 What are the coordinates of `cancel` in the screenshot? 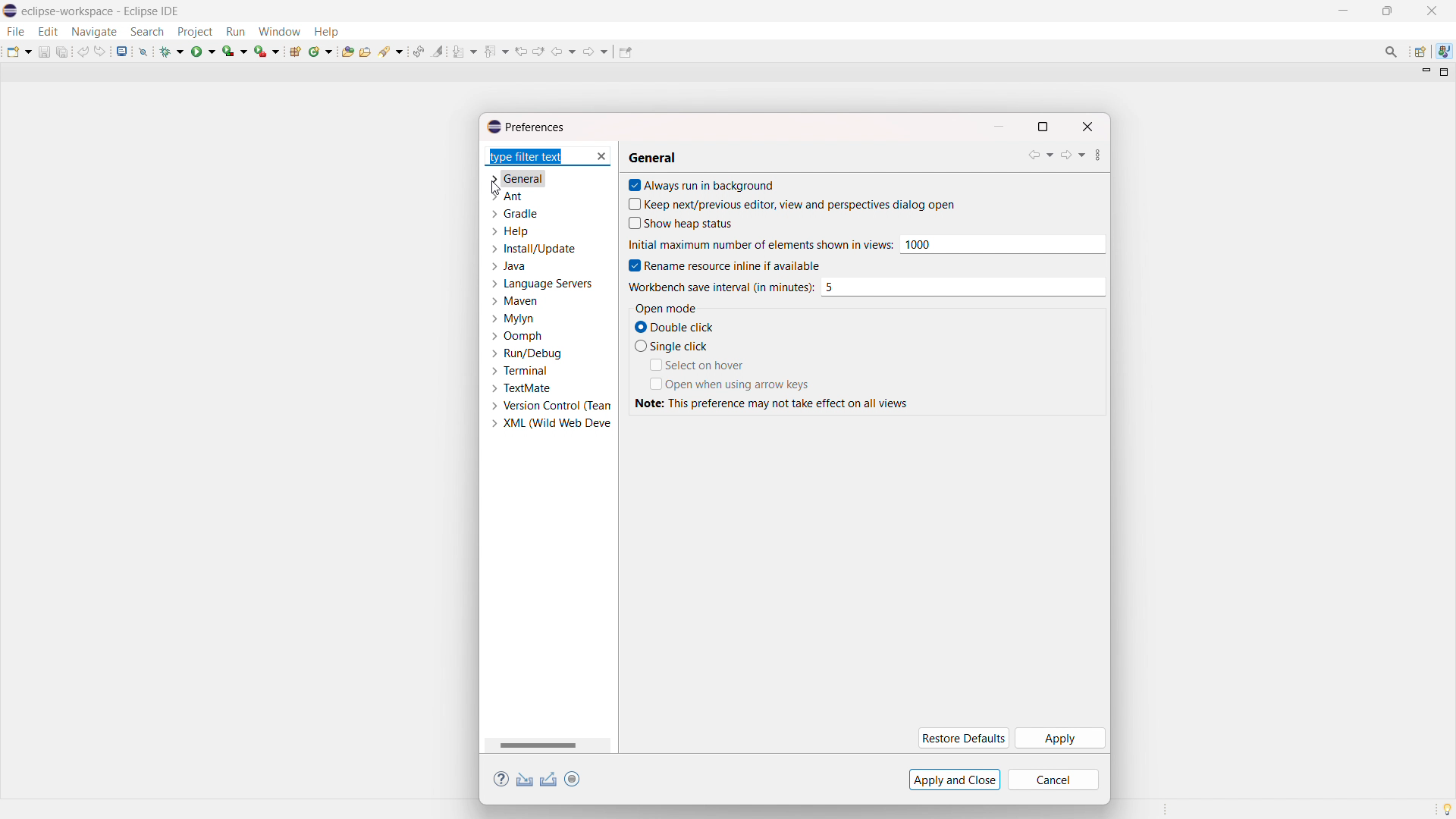 It's located at (1053, 780).